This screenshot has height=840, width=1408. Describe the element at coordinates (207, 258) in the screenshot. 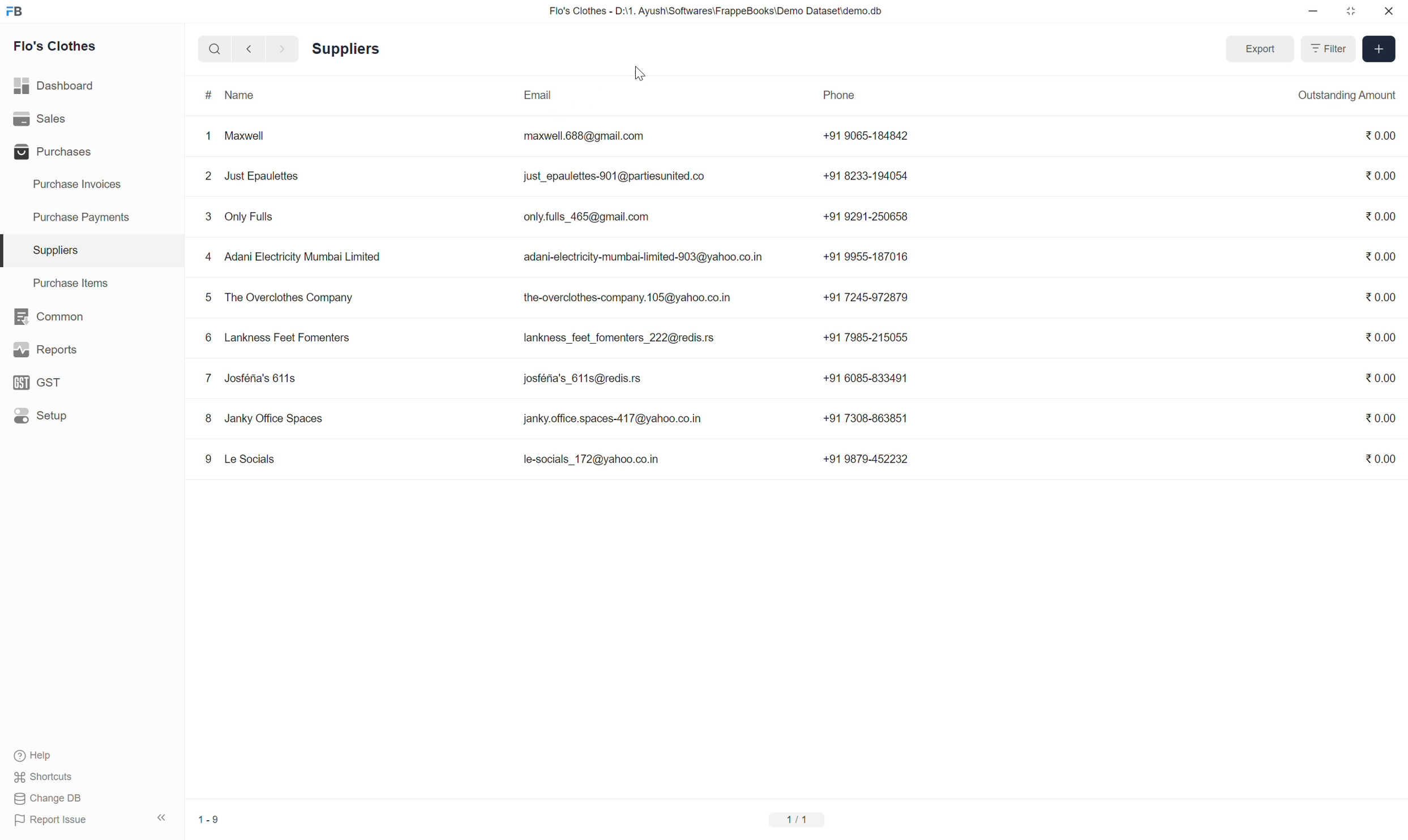

I see `4` at that location.